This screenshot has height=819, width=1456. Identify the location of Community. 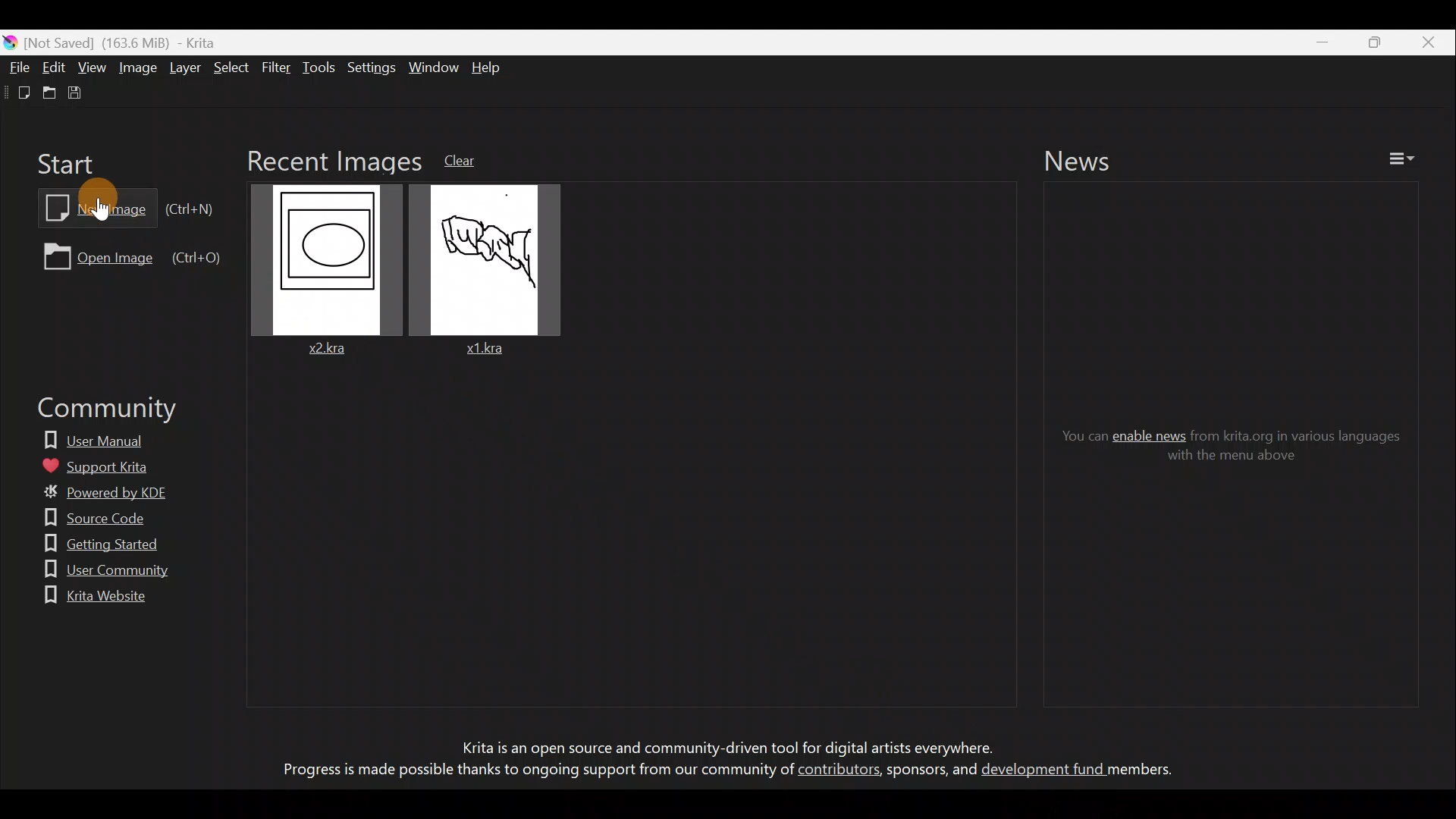
(99, 411).